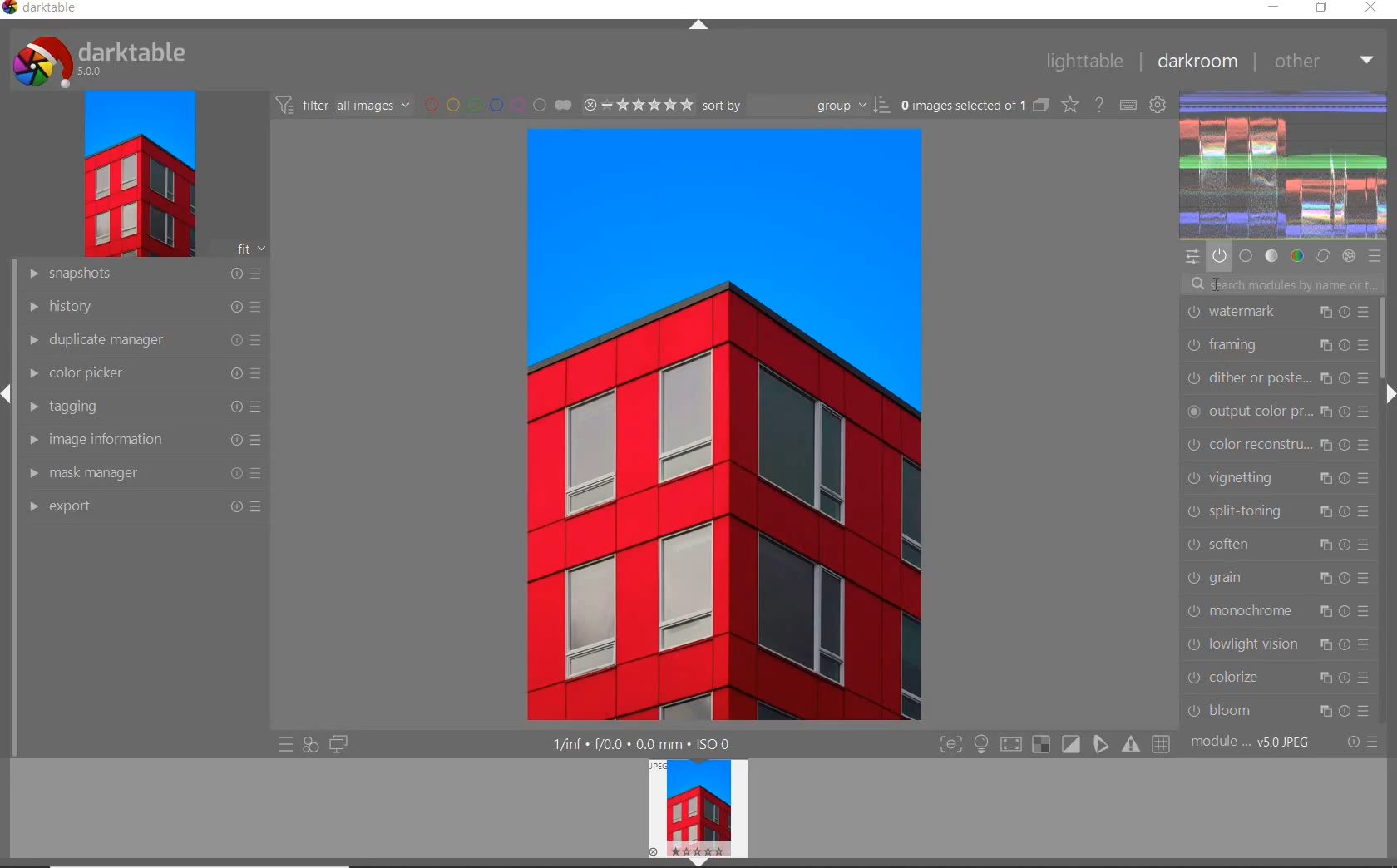  I want to click on mask manager, so click(142, 472).